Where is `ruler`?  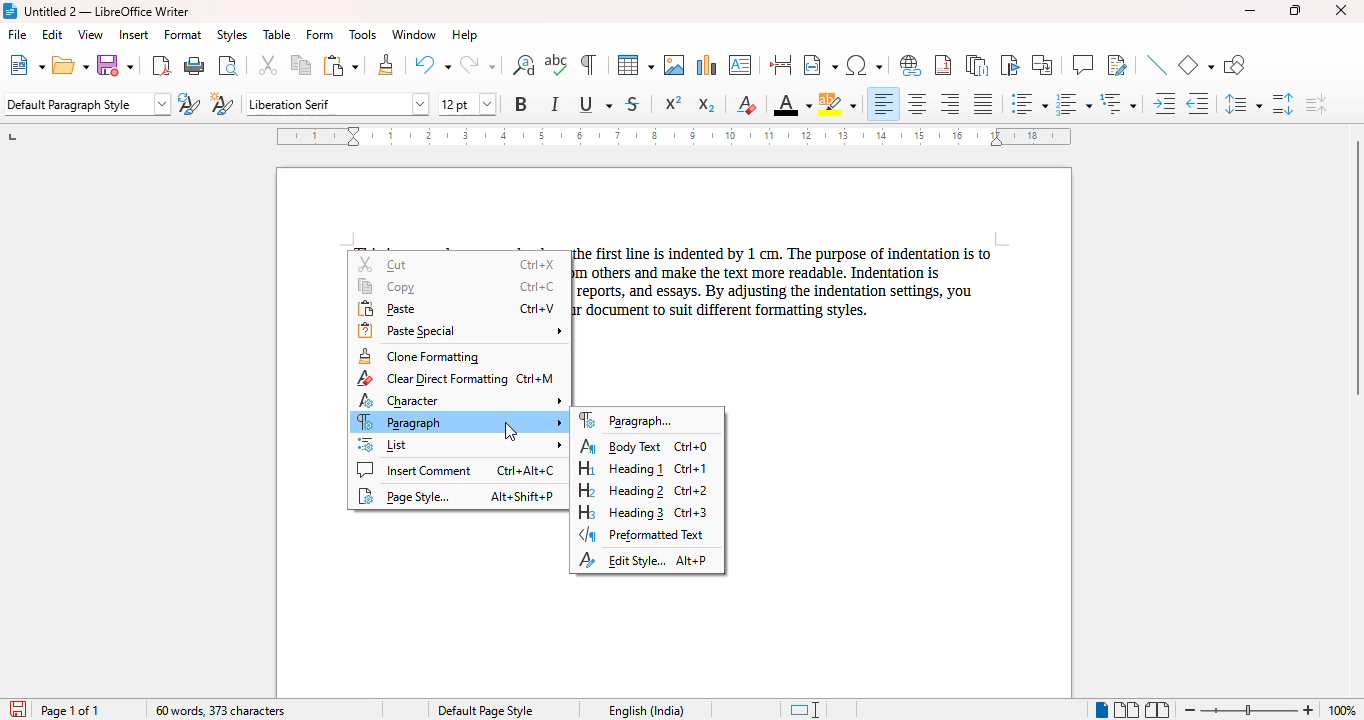
ruler is located at coordinates (673, 136).